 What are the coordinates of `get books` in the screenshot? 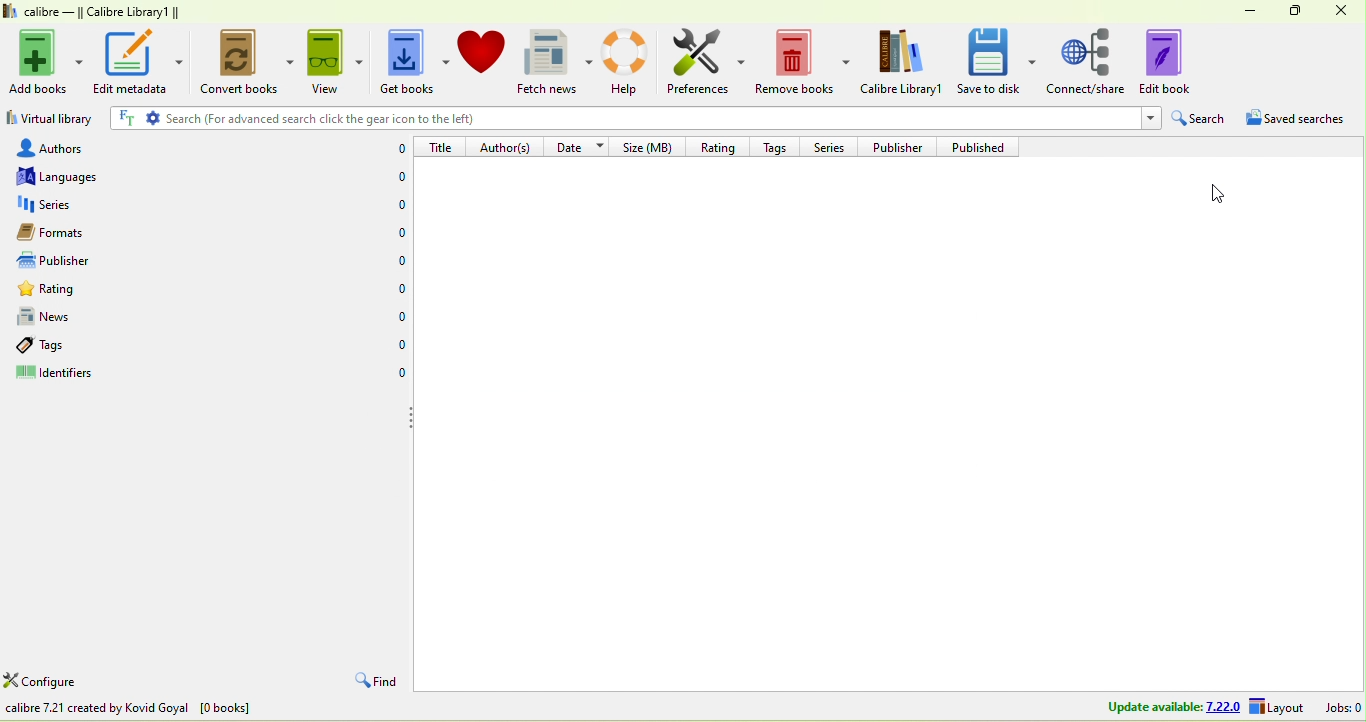 It's located at (411, 63).